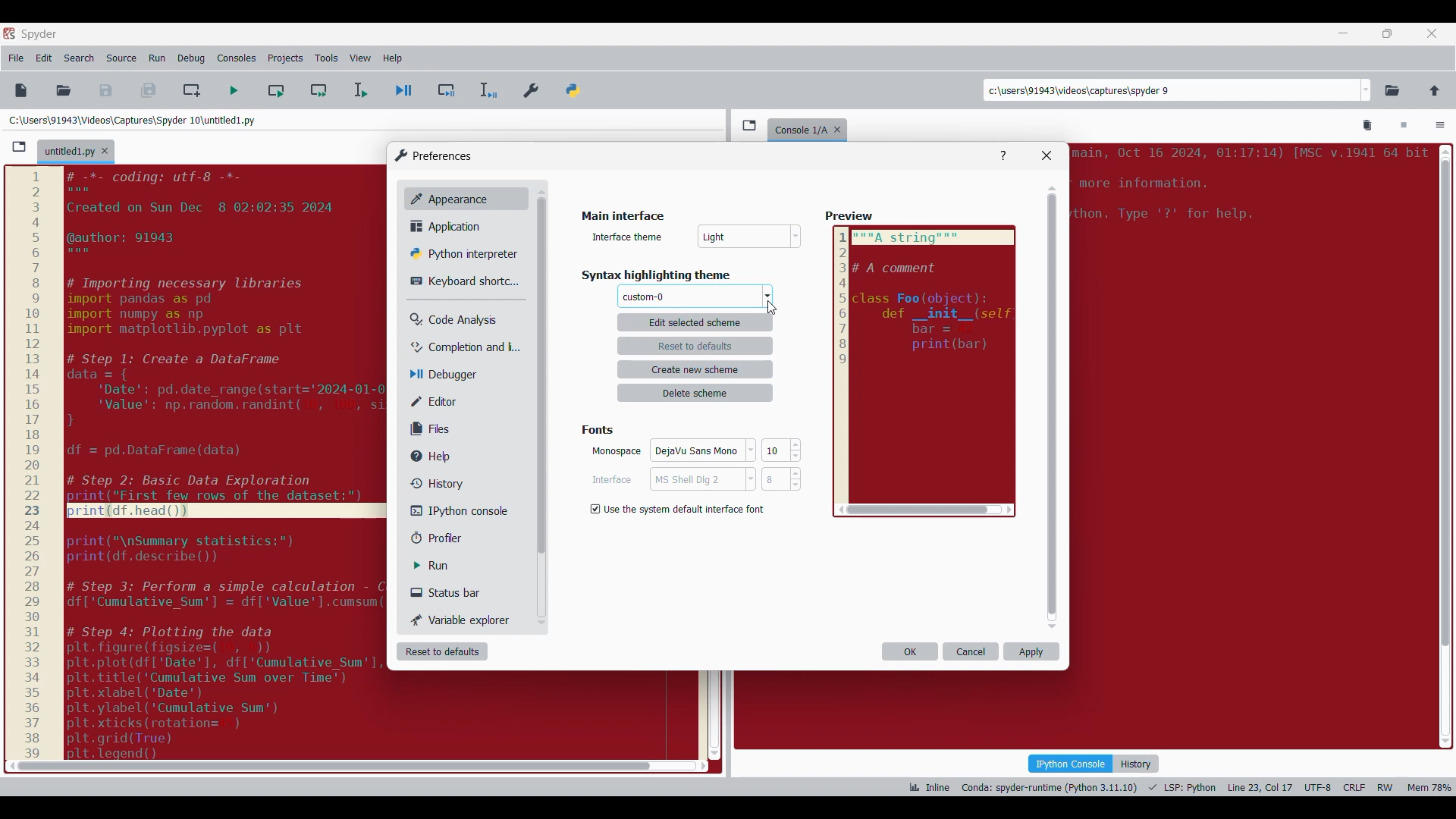 This screenshot has width=1456, height=819. Describe the element at coordinates (450, 538) in the screenshot. I see `Profiler` at that location.